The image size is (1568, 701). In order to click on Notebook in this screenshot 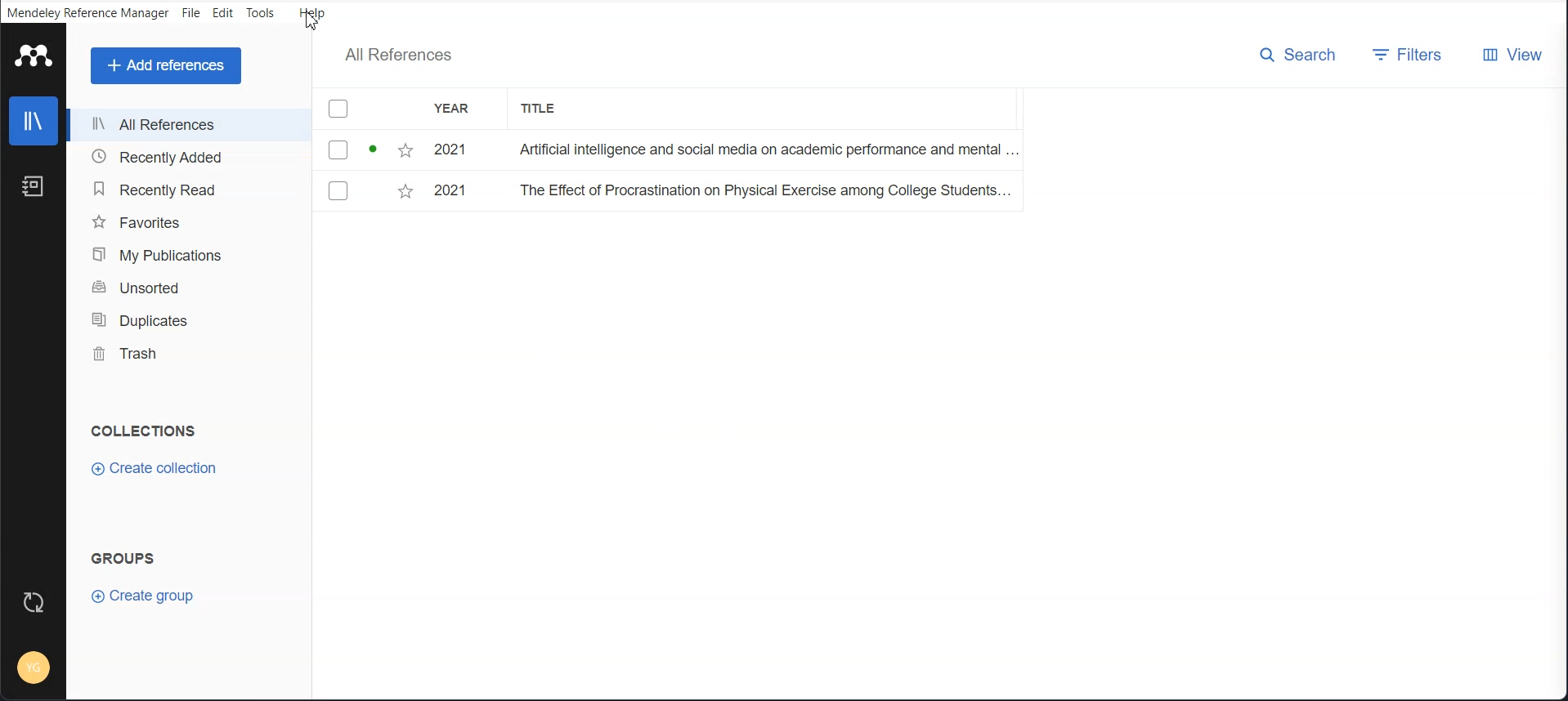, I will do `click(34, 185)`.